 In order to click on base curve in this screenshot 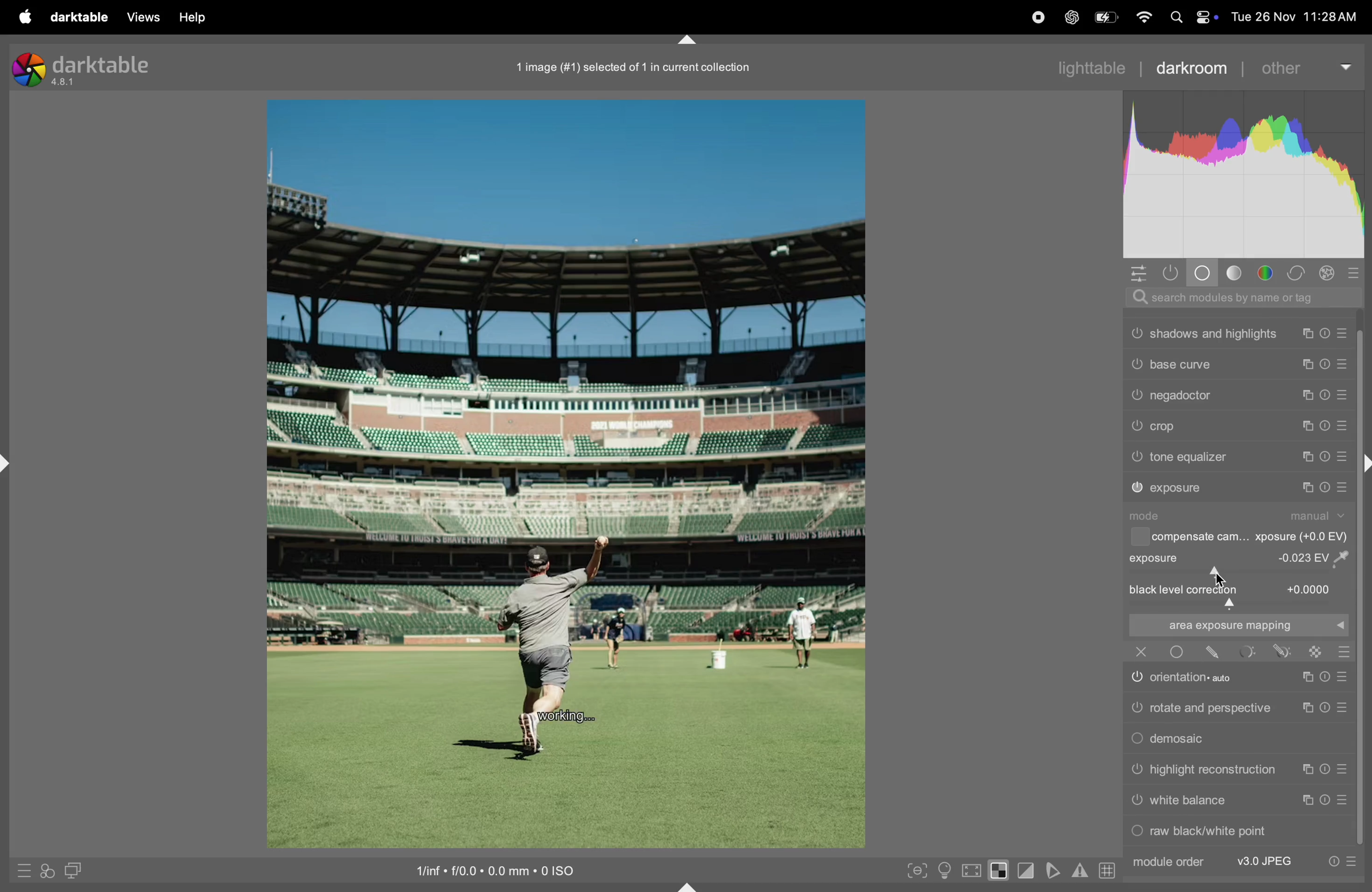, I will do `click(1181, 364)`.